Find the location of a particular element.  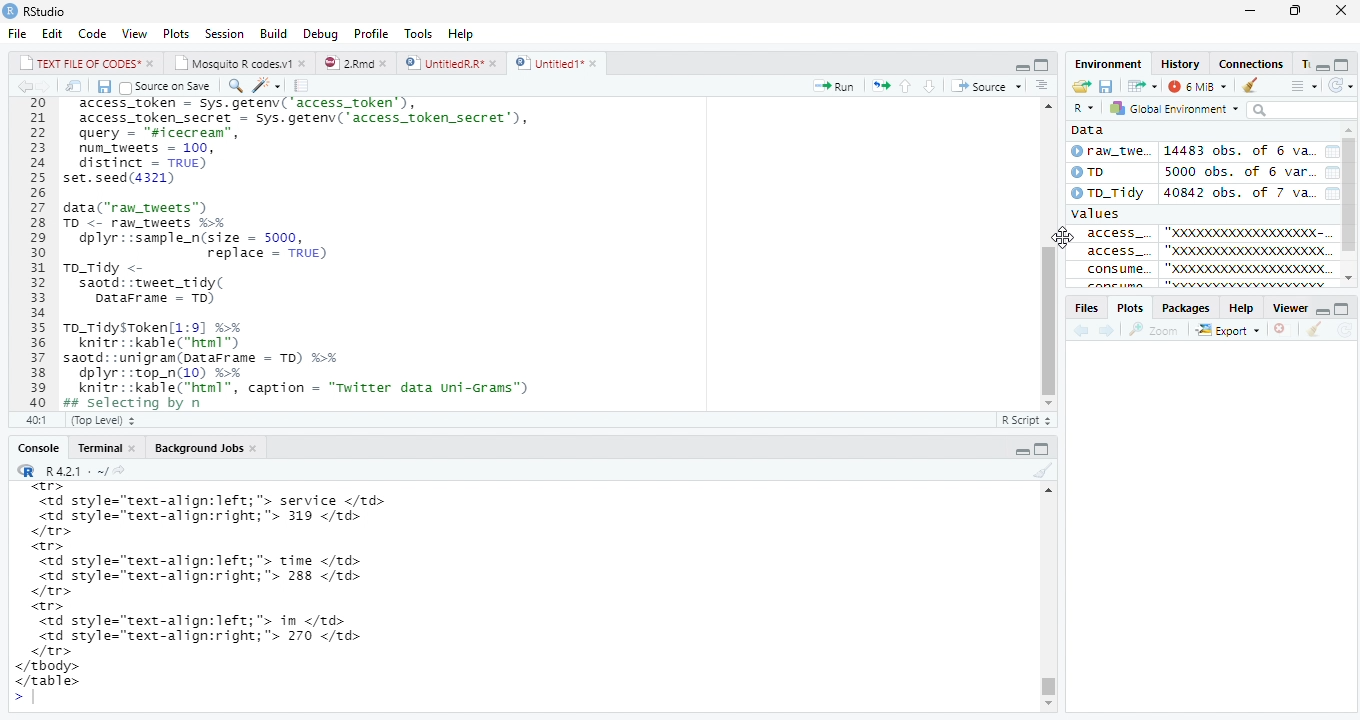

save is located at coordinates (1104, 86).